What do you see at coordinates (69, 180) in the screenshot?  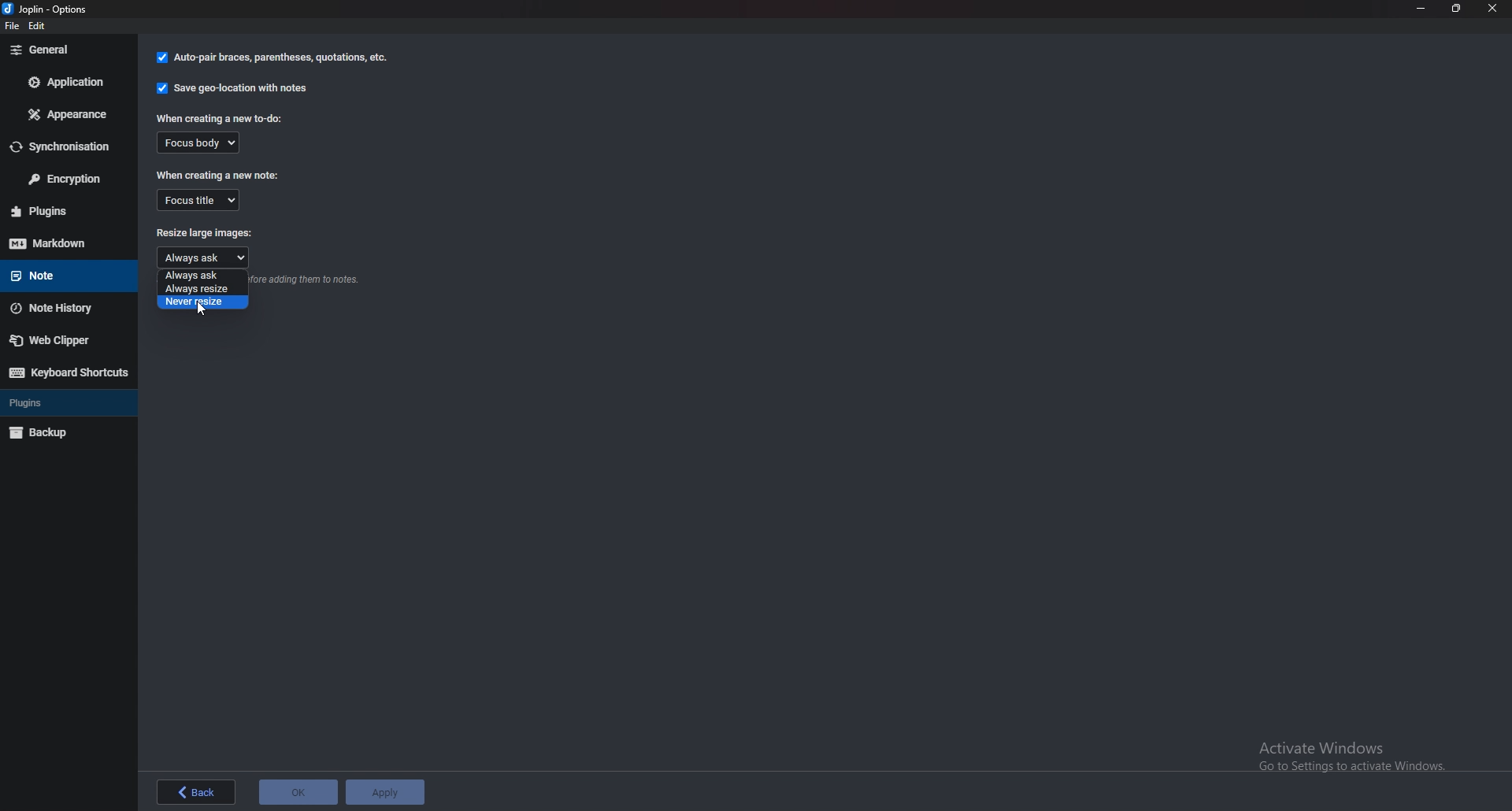 I see `Encryption` at bounding box center [69, 180].